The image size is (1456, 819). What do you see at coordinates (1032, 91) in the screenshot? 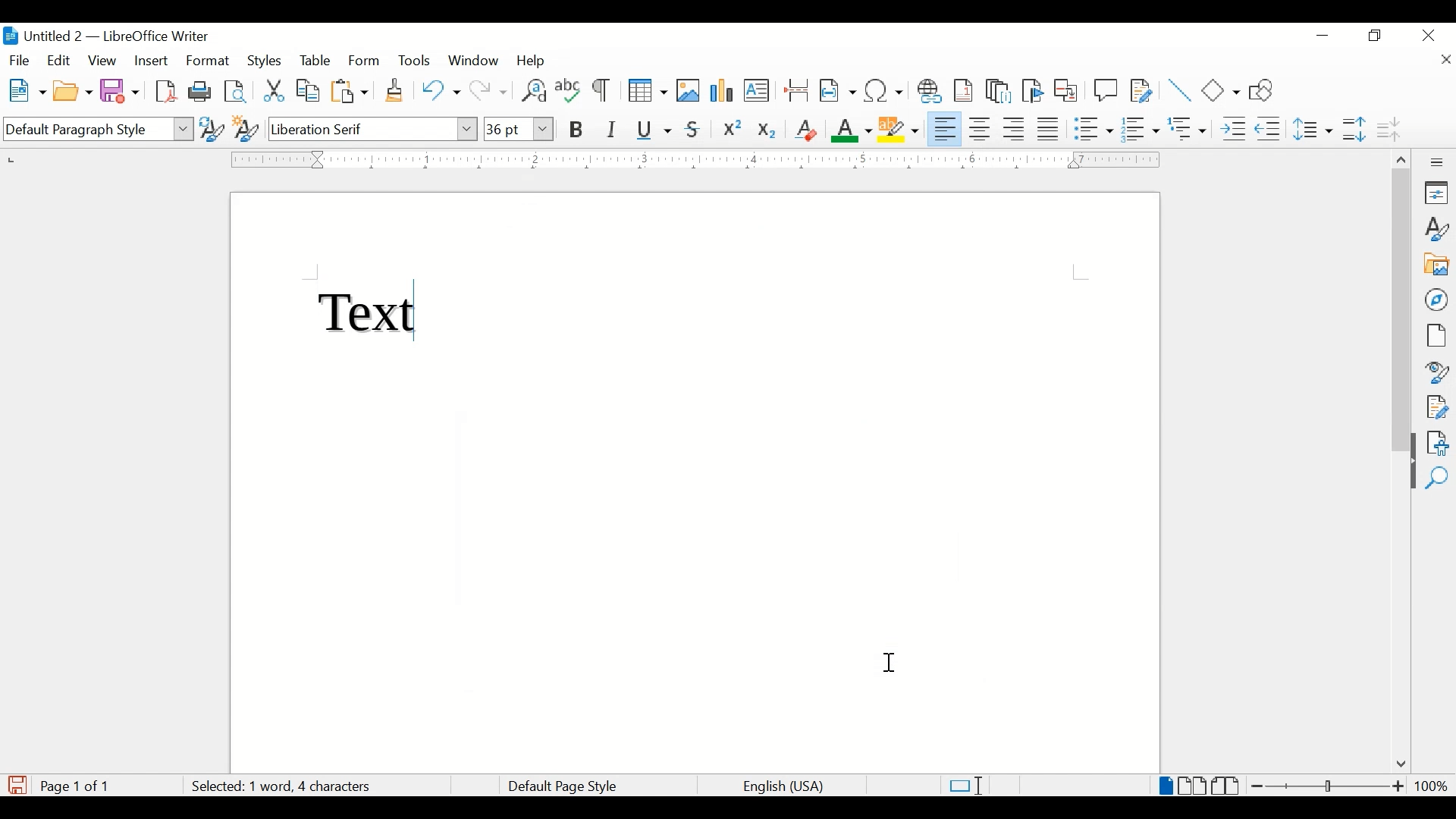
I see `inser bookmark` at bounding box center [1032, 91].